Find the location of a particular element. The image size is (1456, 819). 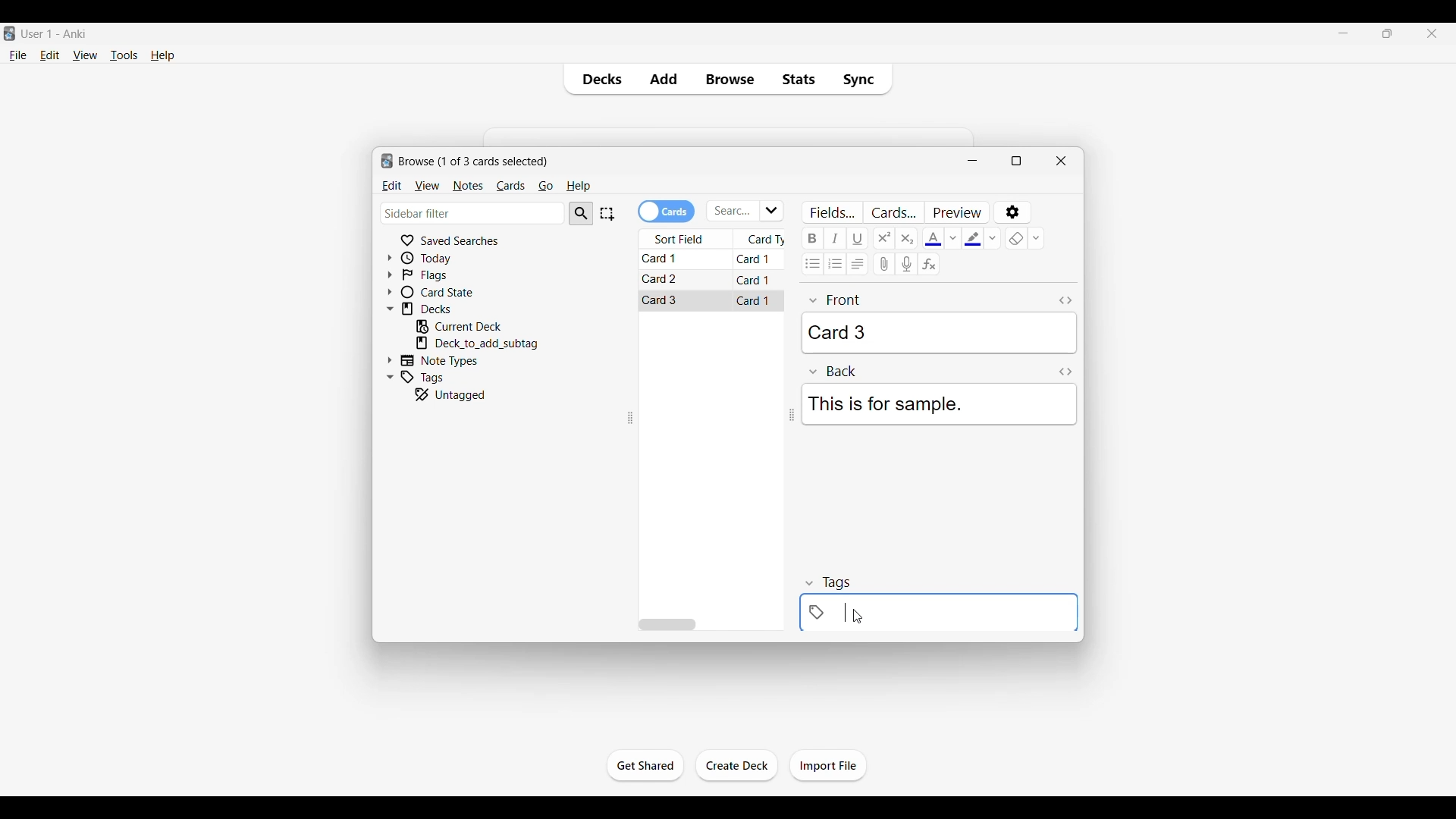

Customize fields is located at coordinates (833, 212).